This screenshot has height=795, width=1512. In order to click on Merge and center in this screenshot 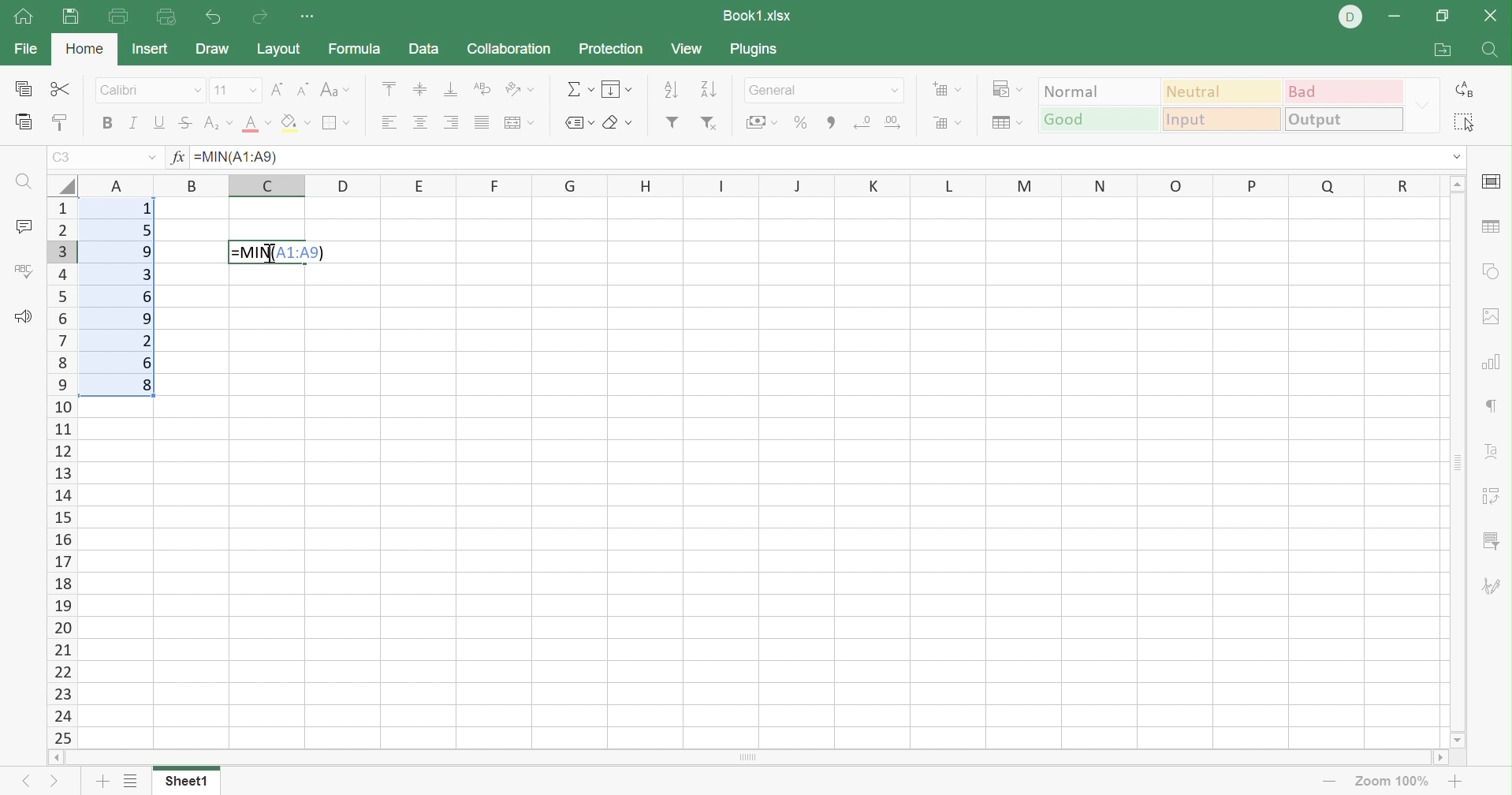, I will do `click(520, 123)`.